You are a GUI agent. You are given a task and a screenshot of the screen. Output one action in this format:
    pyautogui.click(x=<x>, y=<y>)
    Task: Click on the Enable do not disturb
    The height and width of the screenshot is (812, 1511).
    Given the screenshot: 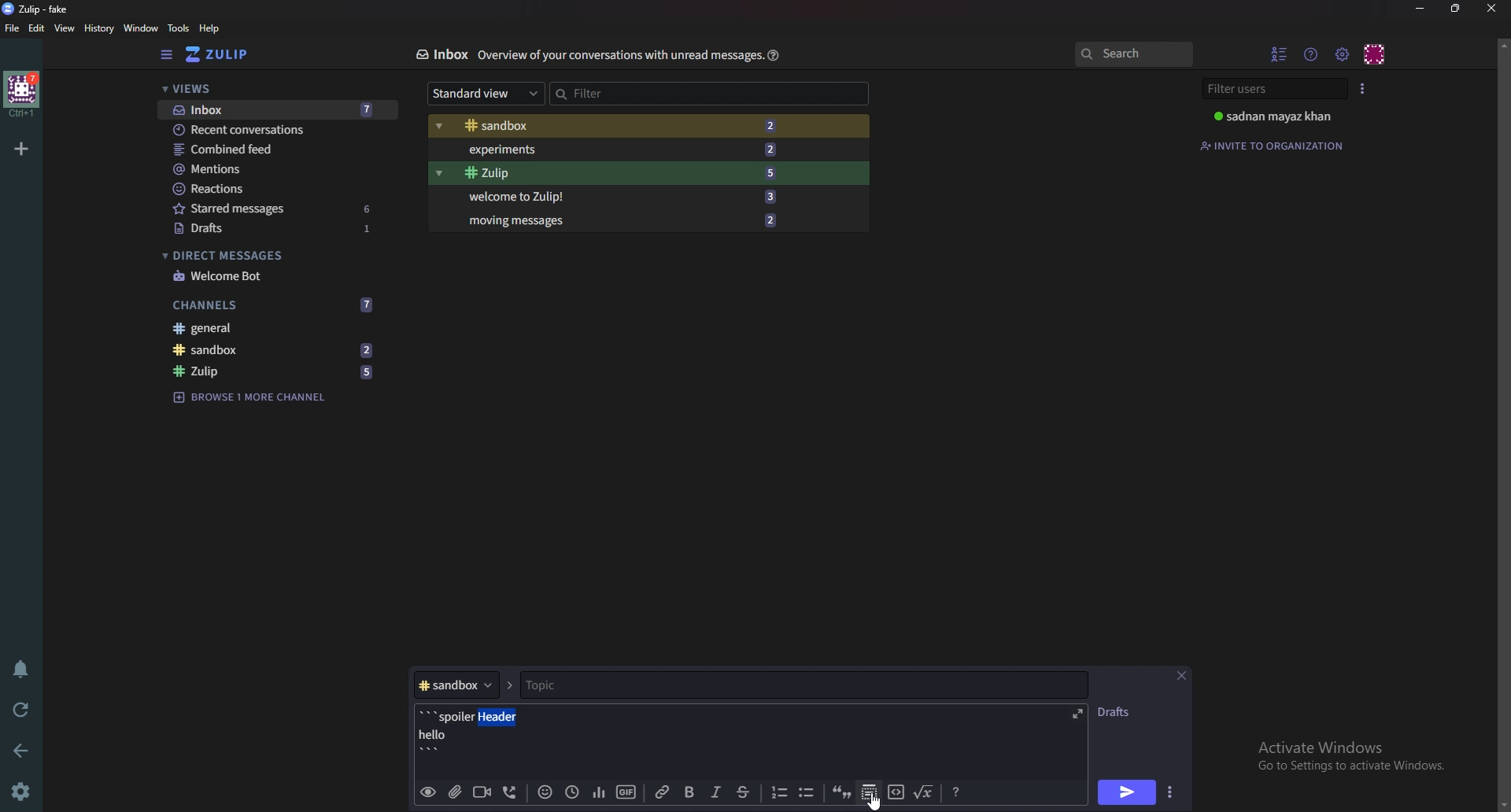 What is the action you would take?
    pyautogui.click(x=22, y=669)
    